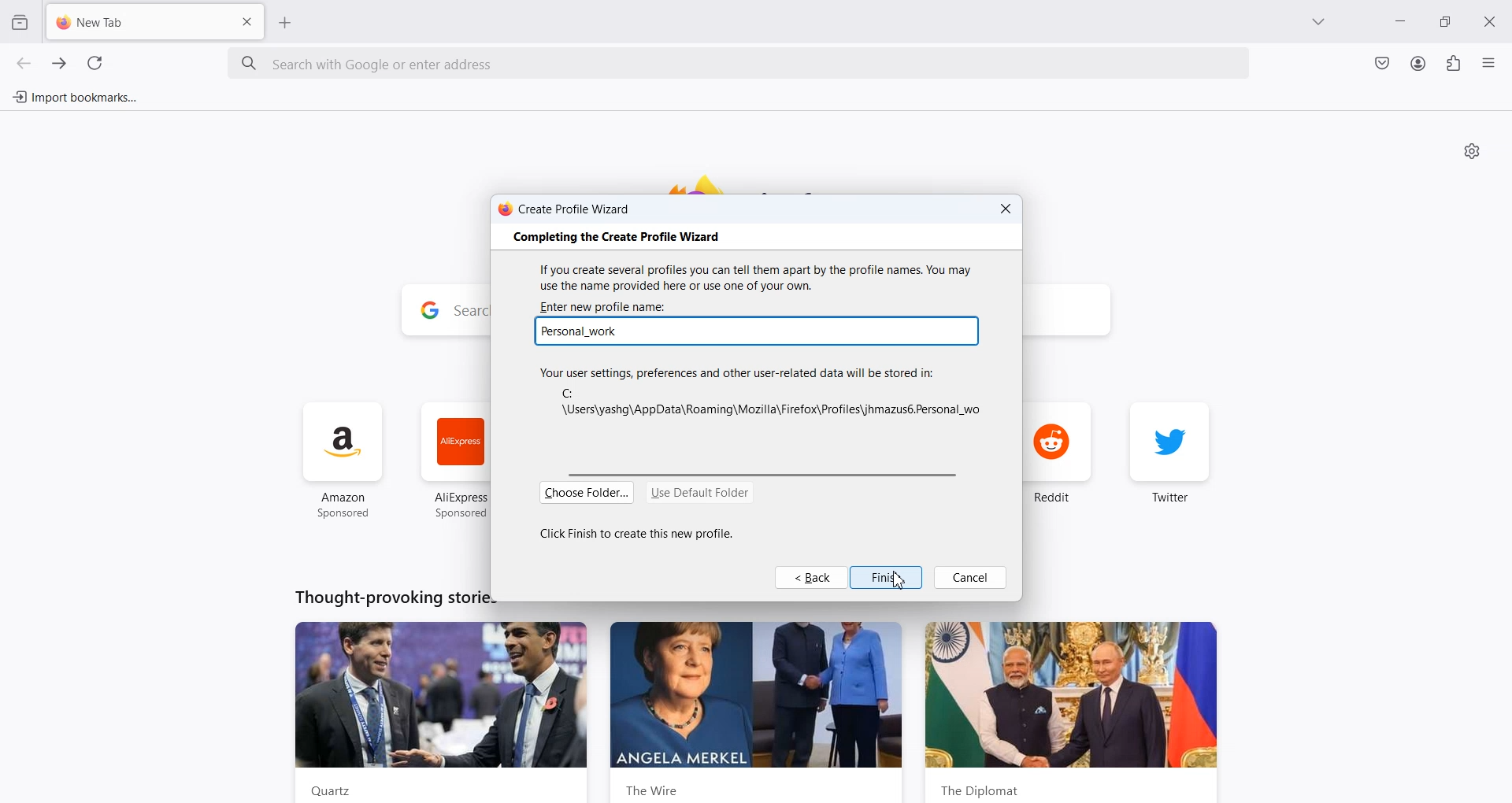  I want to click on Personalize new tab , so click(1472, 150).